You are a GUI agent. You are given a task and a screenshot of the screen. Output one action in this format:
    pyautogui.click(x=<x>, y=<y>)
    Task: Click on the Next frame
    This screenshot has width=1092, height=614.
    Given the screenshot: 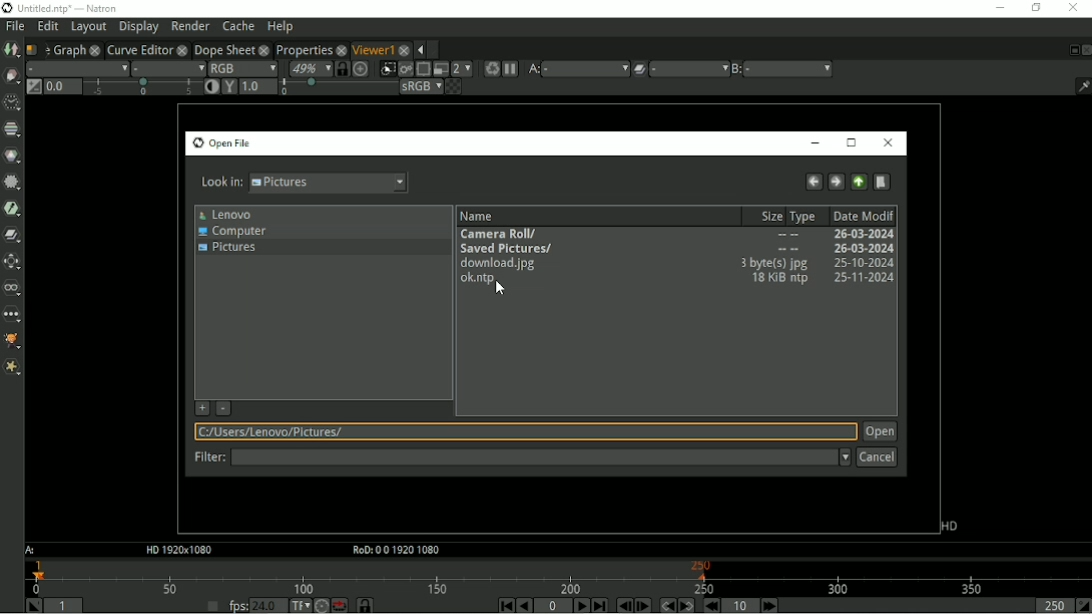 What is the action you would take?
    pyautogui.click(x=643, y=605)
    